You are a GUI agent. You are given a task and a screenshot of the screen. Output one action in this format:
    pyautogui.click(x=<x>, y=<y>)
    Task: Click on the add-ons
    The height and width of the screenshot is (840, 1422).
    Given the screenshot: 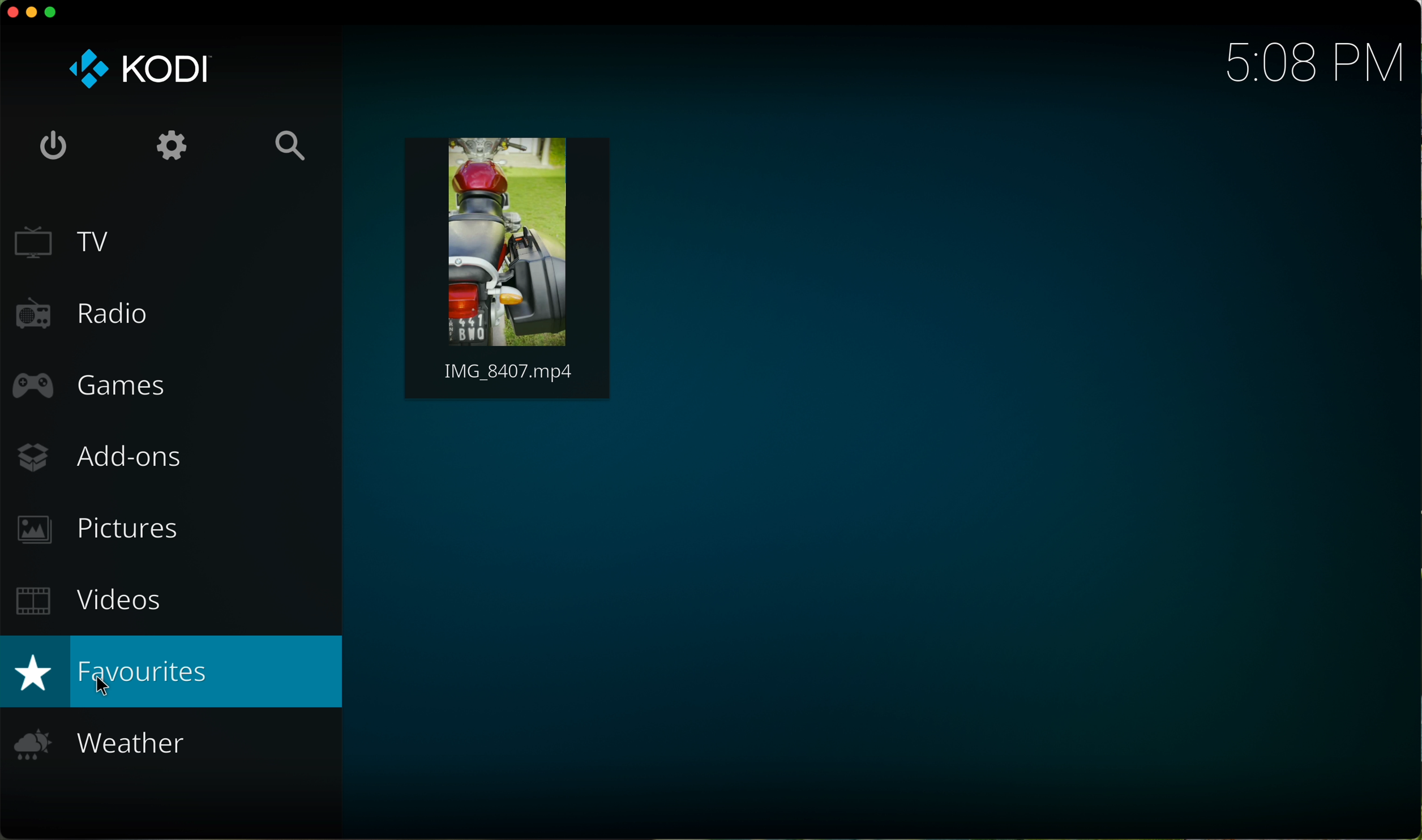 What is the action you would take?
    pyautogui.click(x=129, y=457)
    